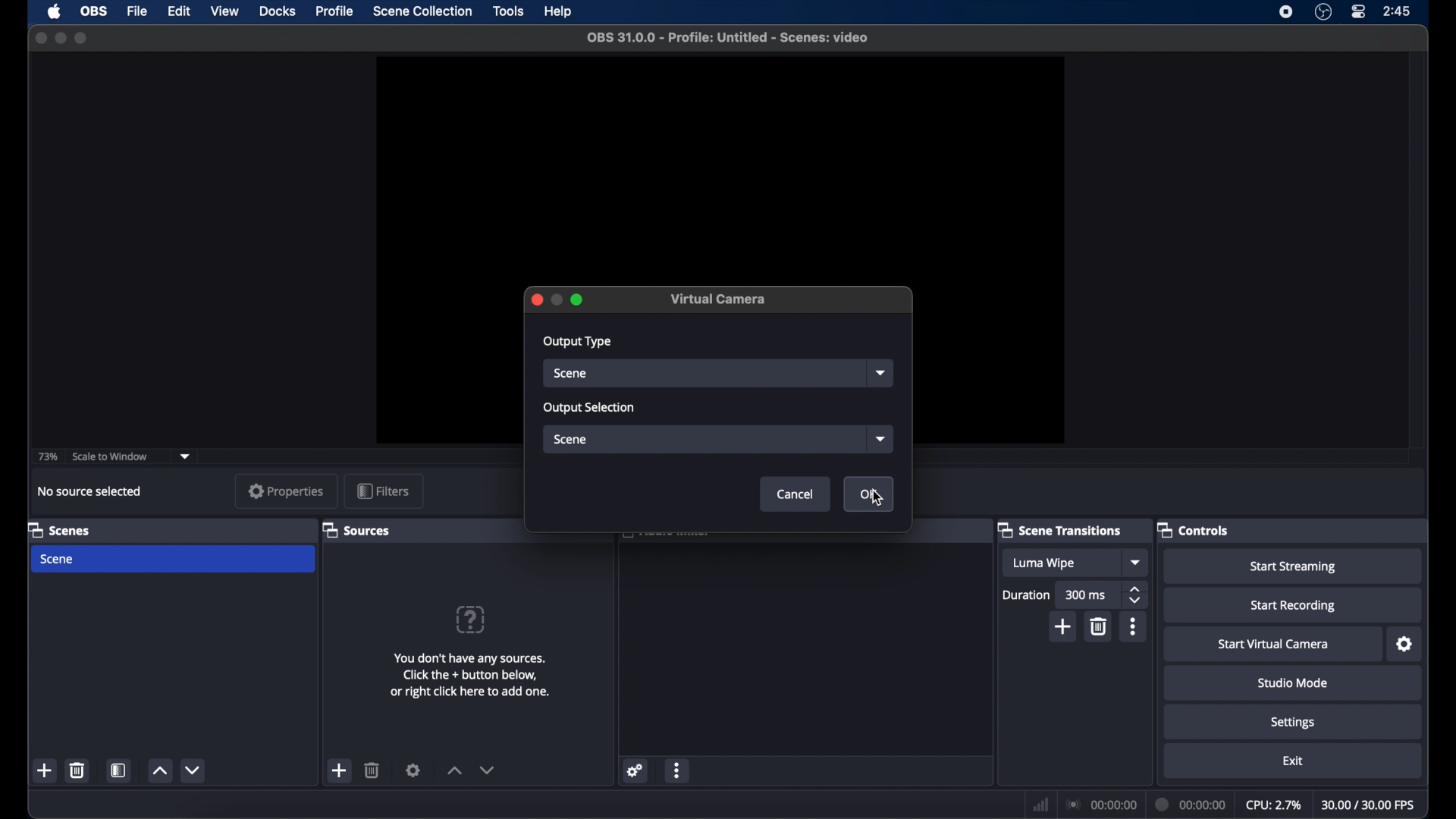 The image size is (1456, 819). Describe the element at coordinates (510, 11) in the screenshot. I see `tools` at that location.